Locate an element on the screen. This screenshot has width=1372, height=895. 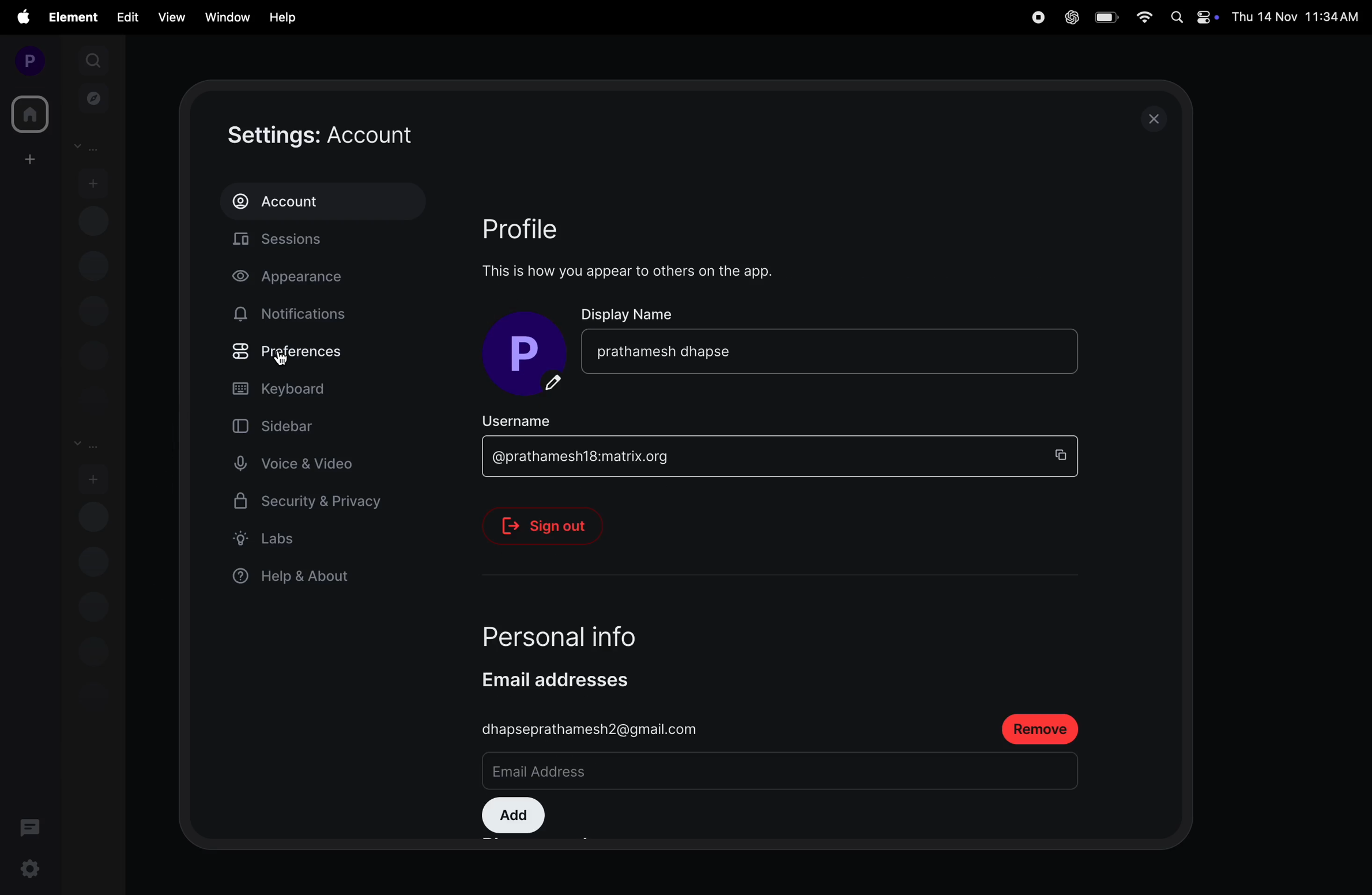
create space is located at coordinates (28, 159).